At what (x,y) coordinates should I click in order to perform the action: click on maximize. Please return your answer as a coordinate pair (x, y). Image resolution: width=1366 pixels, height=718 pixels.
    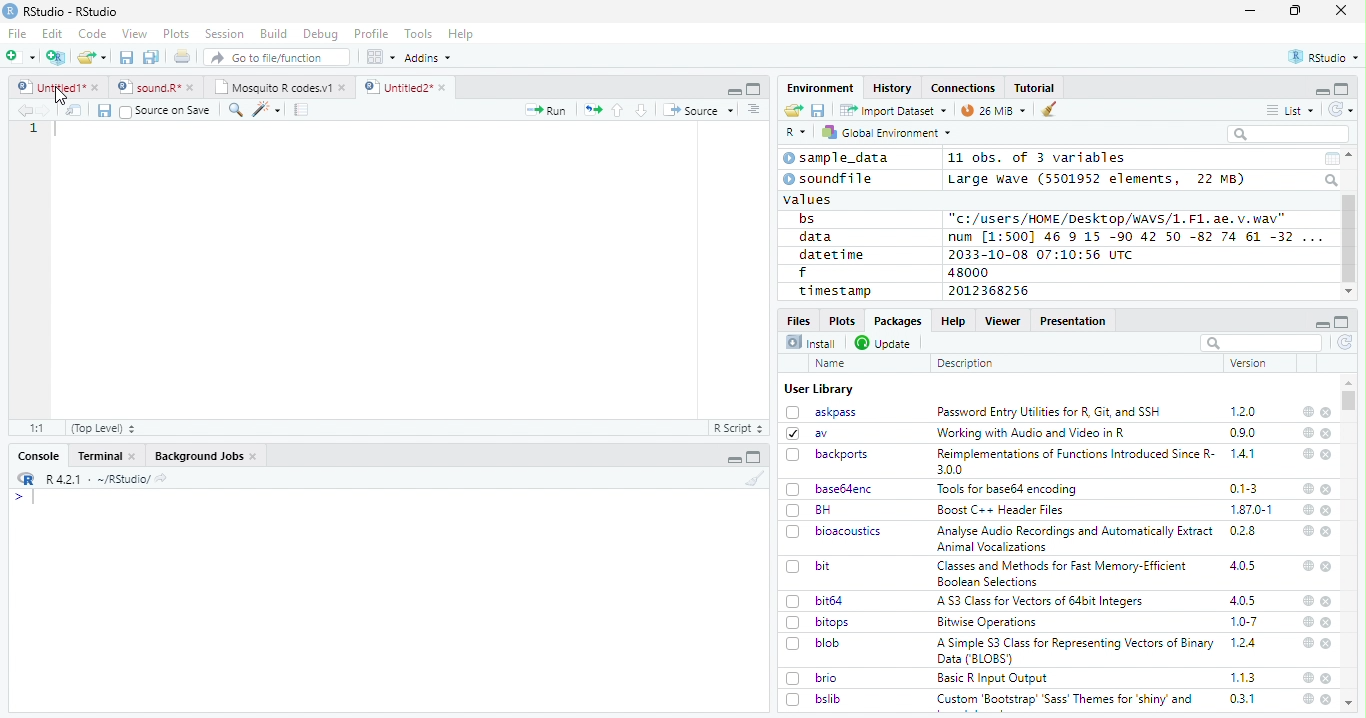
    Looking at the image, I should click on (1295, 11).